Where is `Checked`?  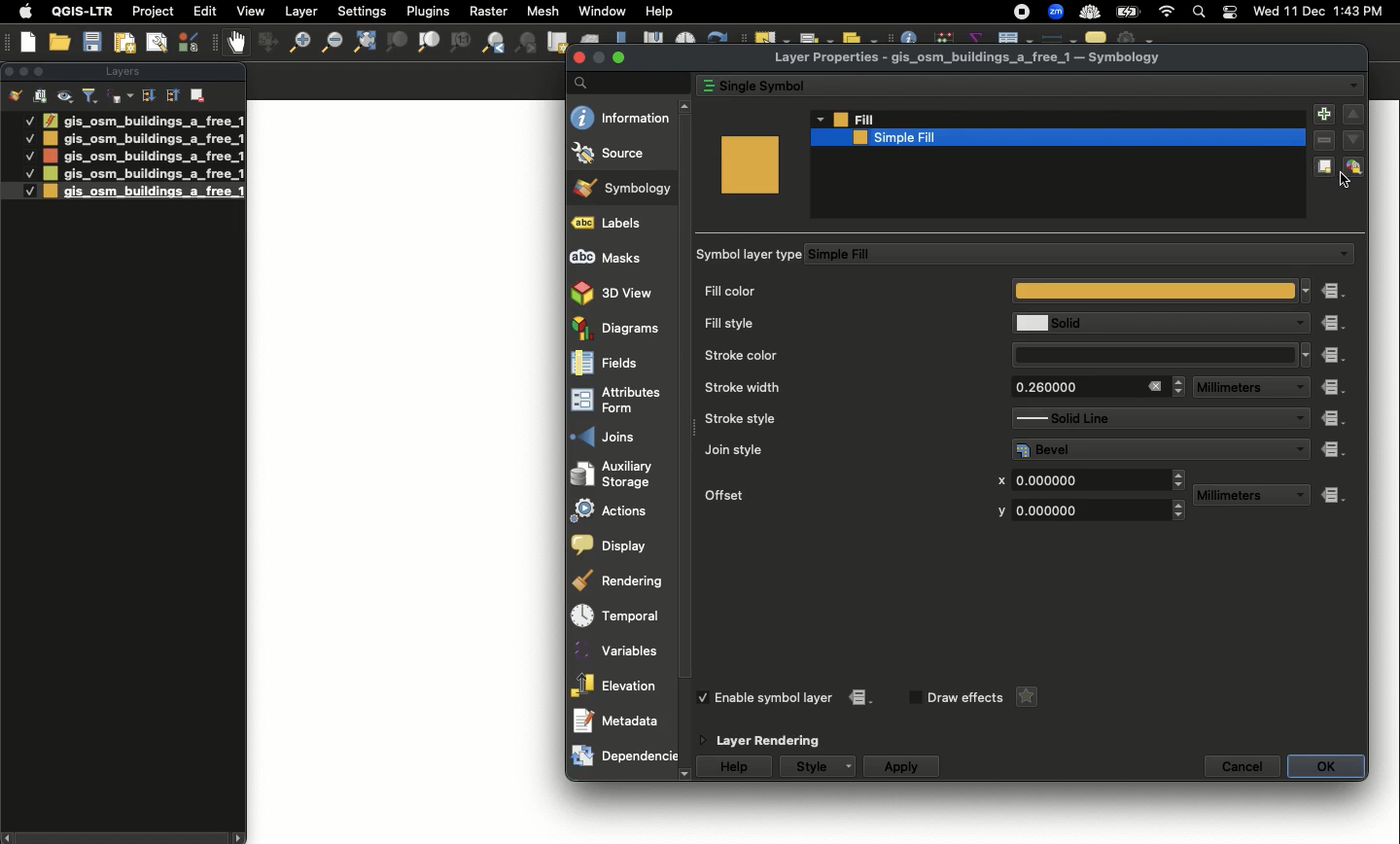 Checked is located at coordinates (19, 191).